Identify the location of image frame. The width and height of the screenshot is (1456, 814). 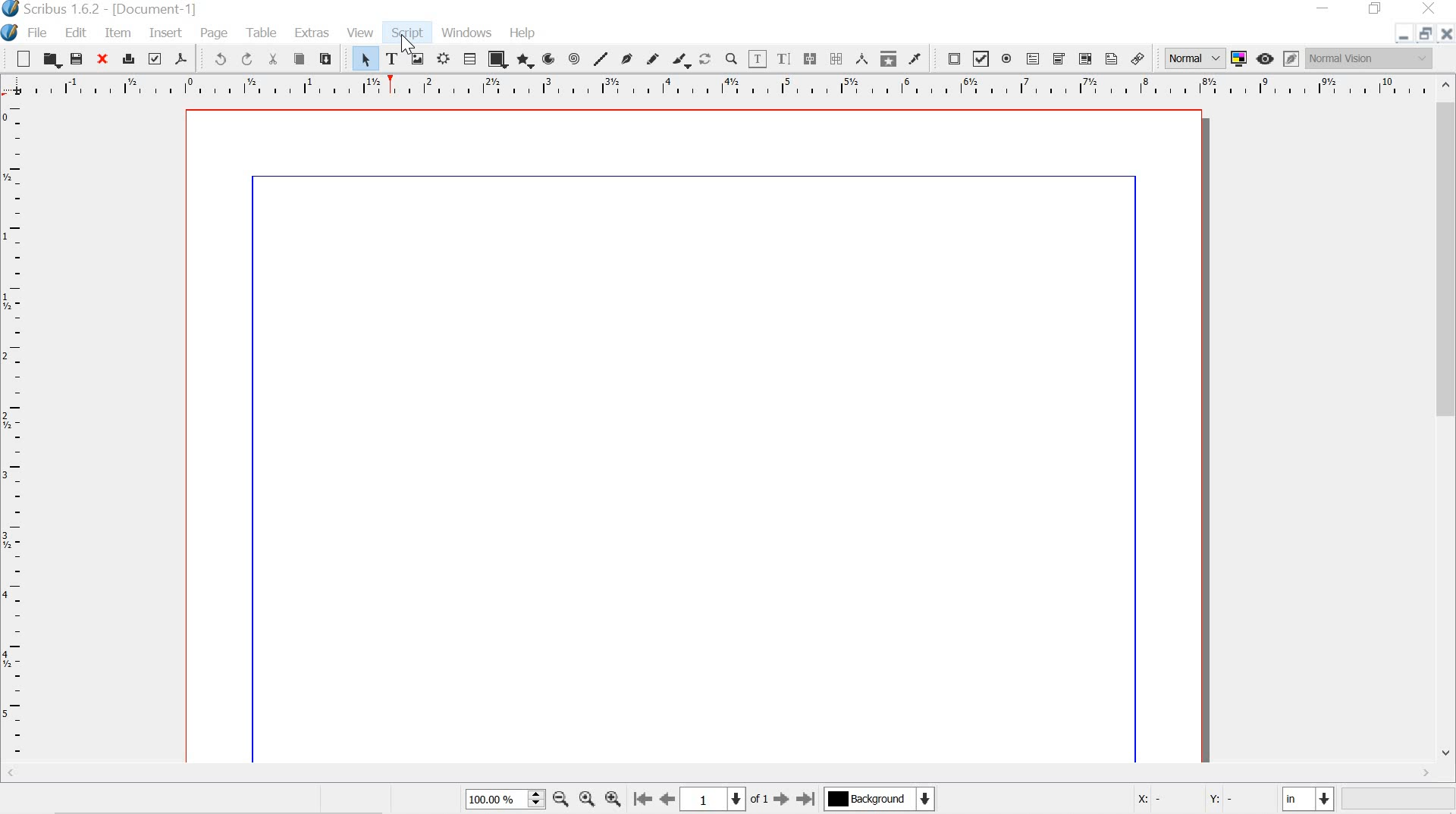
(418, 58).